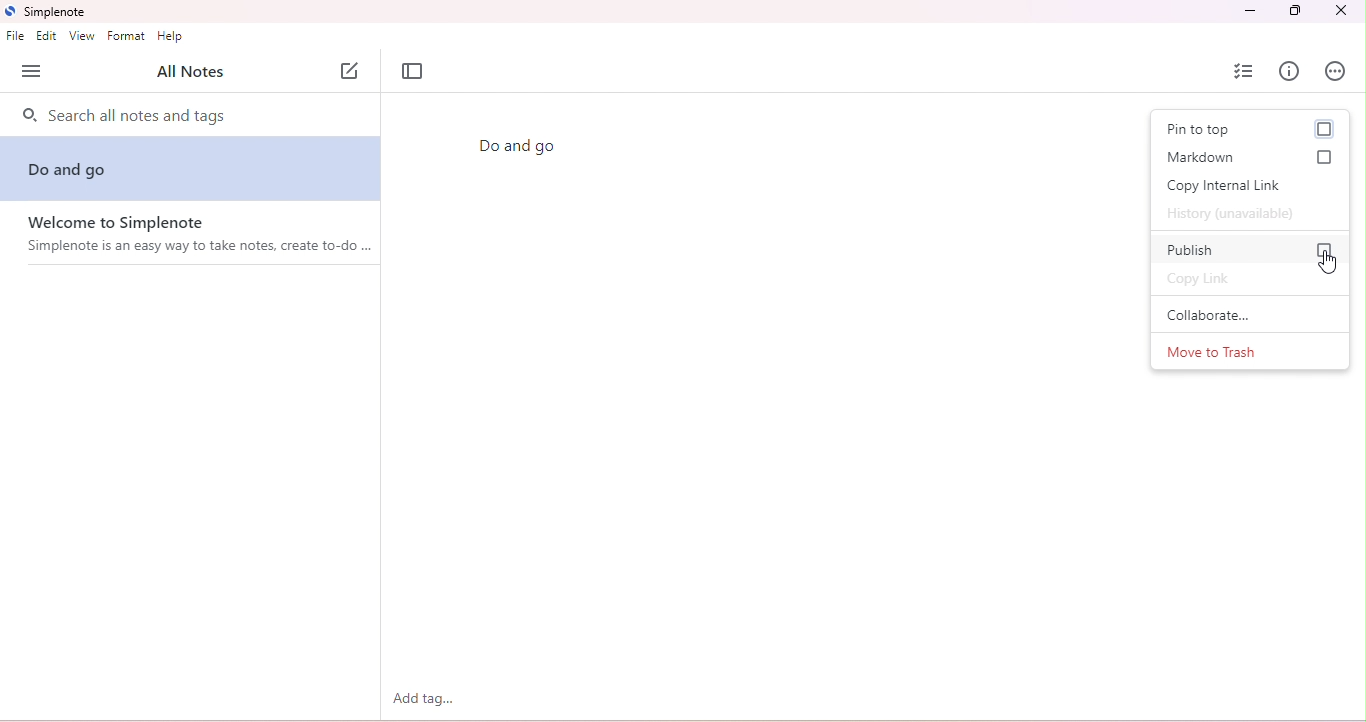 The width and height of the screenshot is (1366, 722). What do you see at coordinates (1229, 186) in the screenshot?
I see `copy internal link` at bounding box center [1229, 186].